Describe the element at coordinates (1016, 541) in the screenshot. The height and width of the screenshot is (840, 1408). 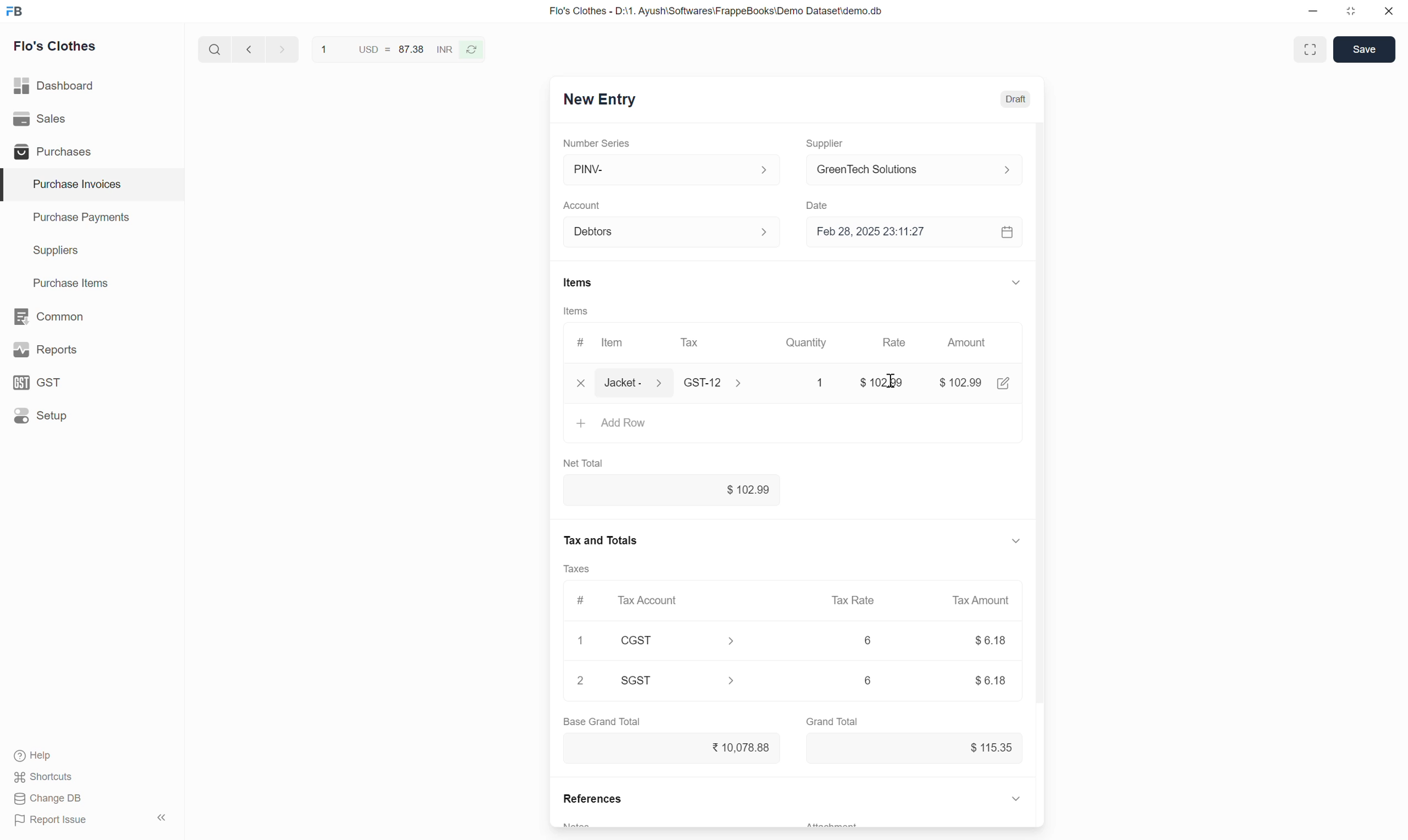
I see `Collapse` at that location.